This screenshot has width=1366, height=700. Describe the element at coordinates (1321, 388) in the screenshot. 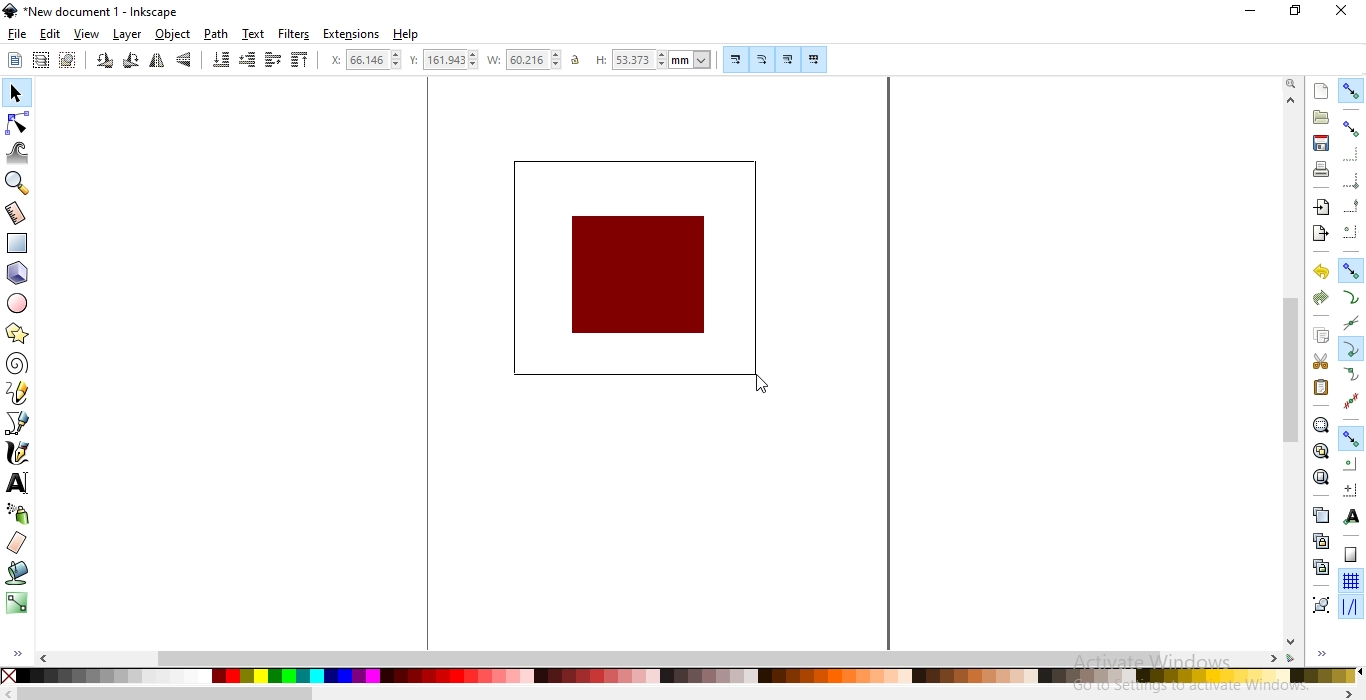

I see `paste selection` at that location.